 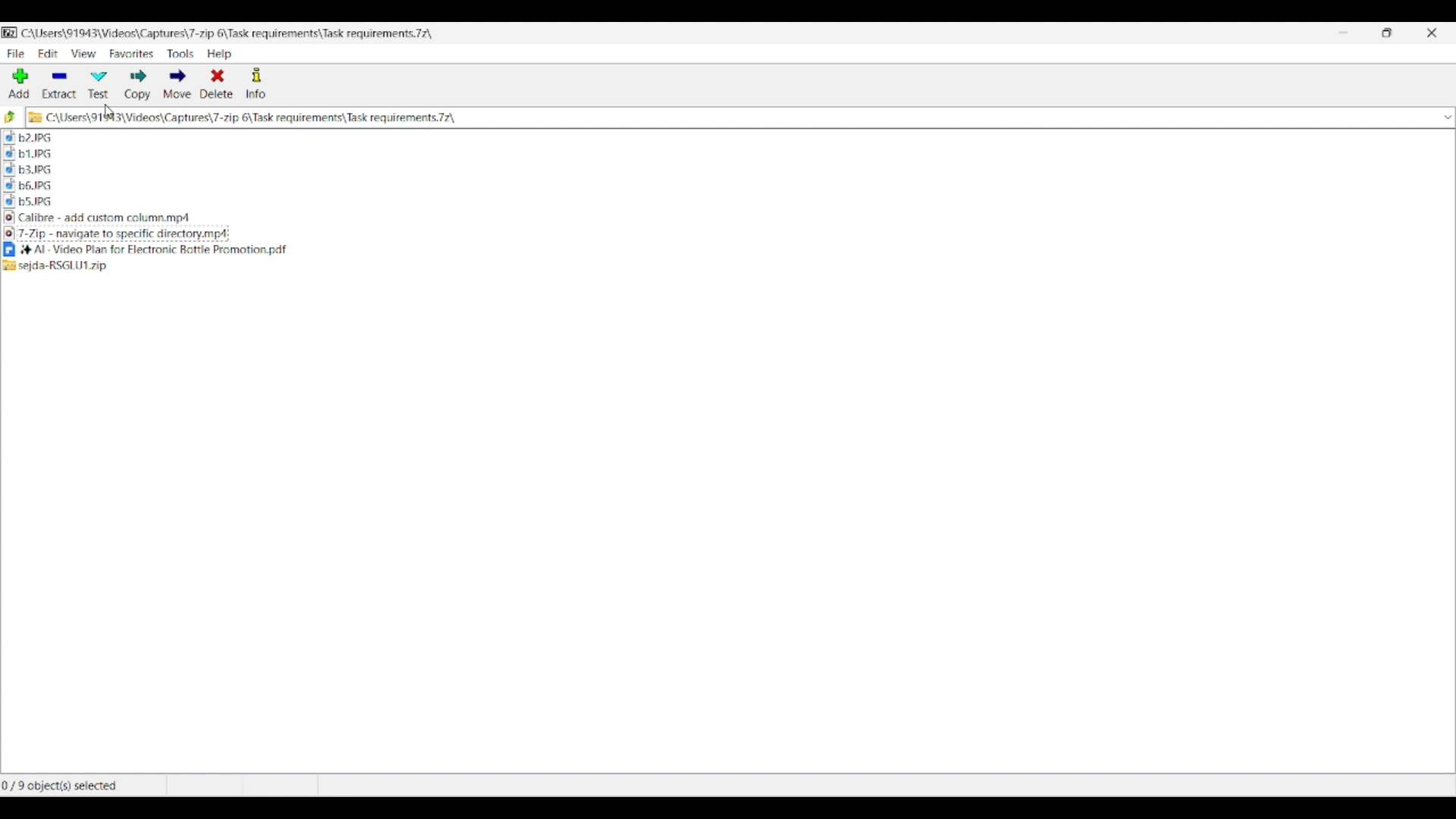 What do you see at coordinates (243, 118) in the screenshot?
I see `Folder icon and pathway` at bounding box center [243, 118].